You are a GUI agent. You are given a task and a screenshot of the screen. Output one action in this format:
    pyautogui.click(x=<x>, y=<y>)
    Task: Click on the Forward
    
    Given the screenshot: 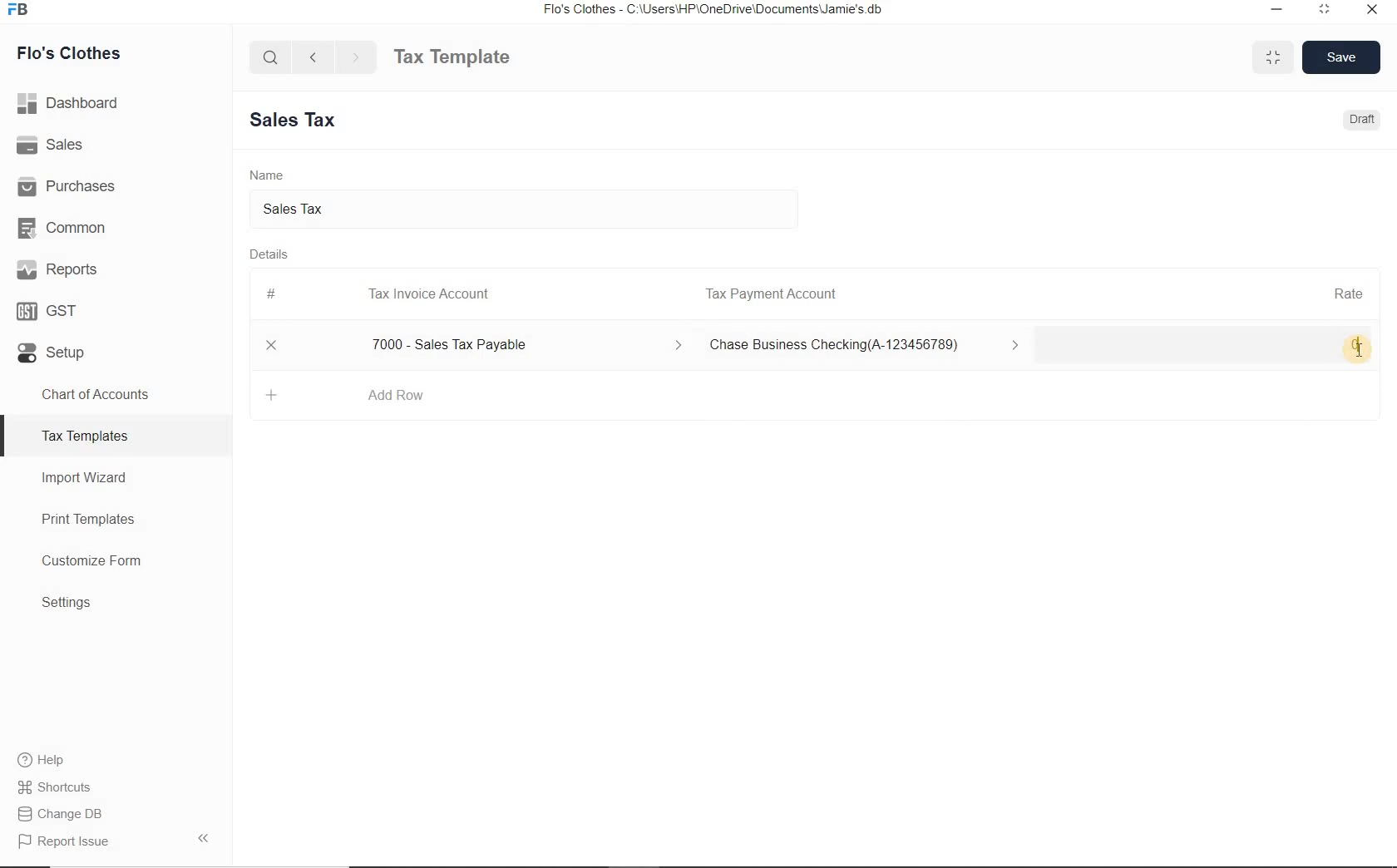 What is the action you would take?
    pyautogui.click(x=357, y=57)
    